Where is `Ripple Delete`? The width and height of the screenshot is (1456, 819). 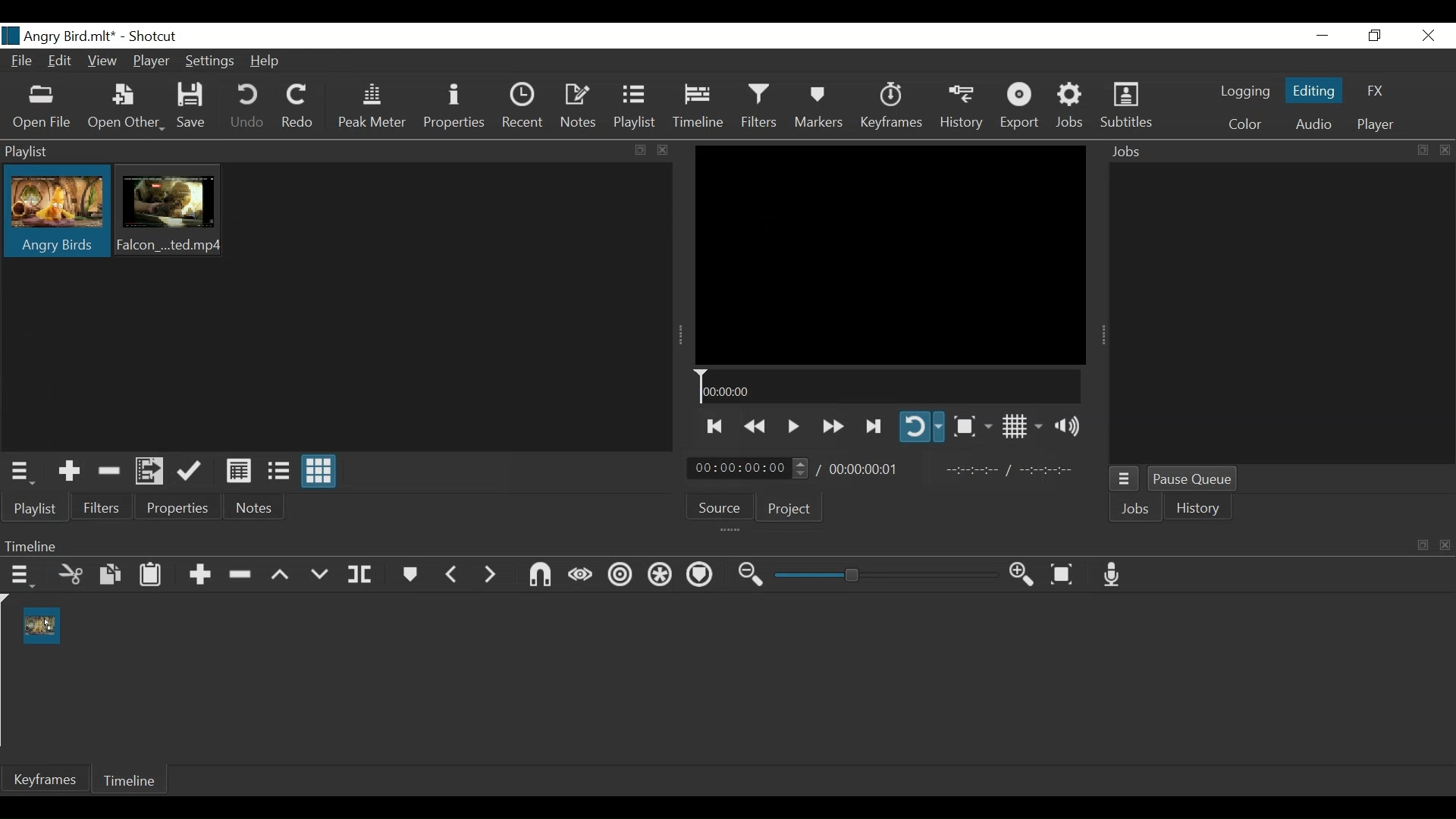
Ripple Delete is located at coordinates (242, 573).